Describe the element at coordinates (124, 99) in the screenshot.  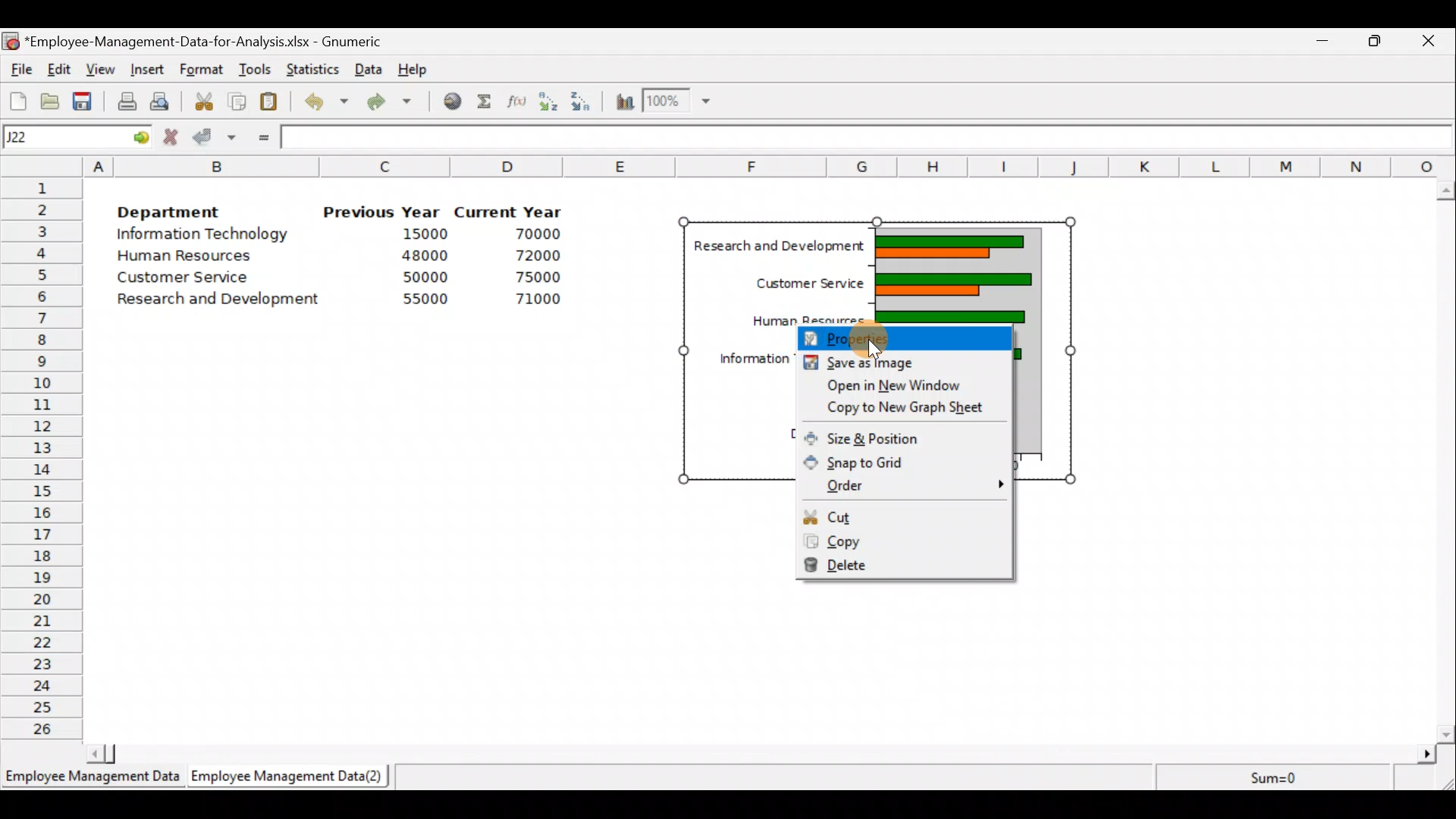
I see `Print current file` at that location.